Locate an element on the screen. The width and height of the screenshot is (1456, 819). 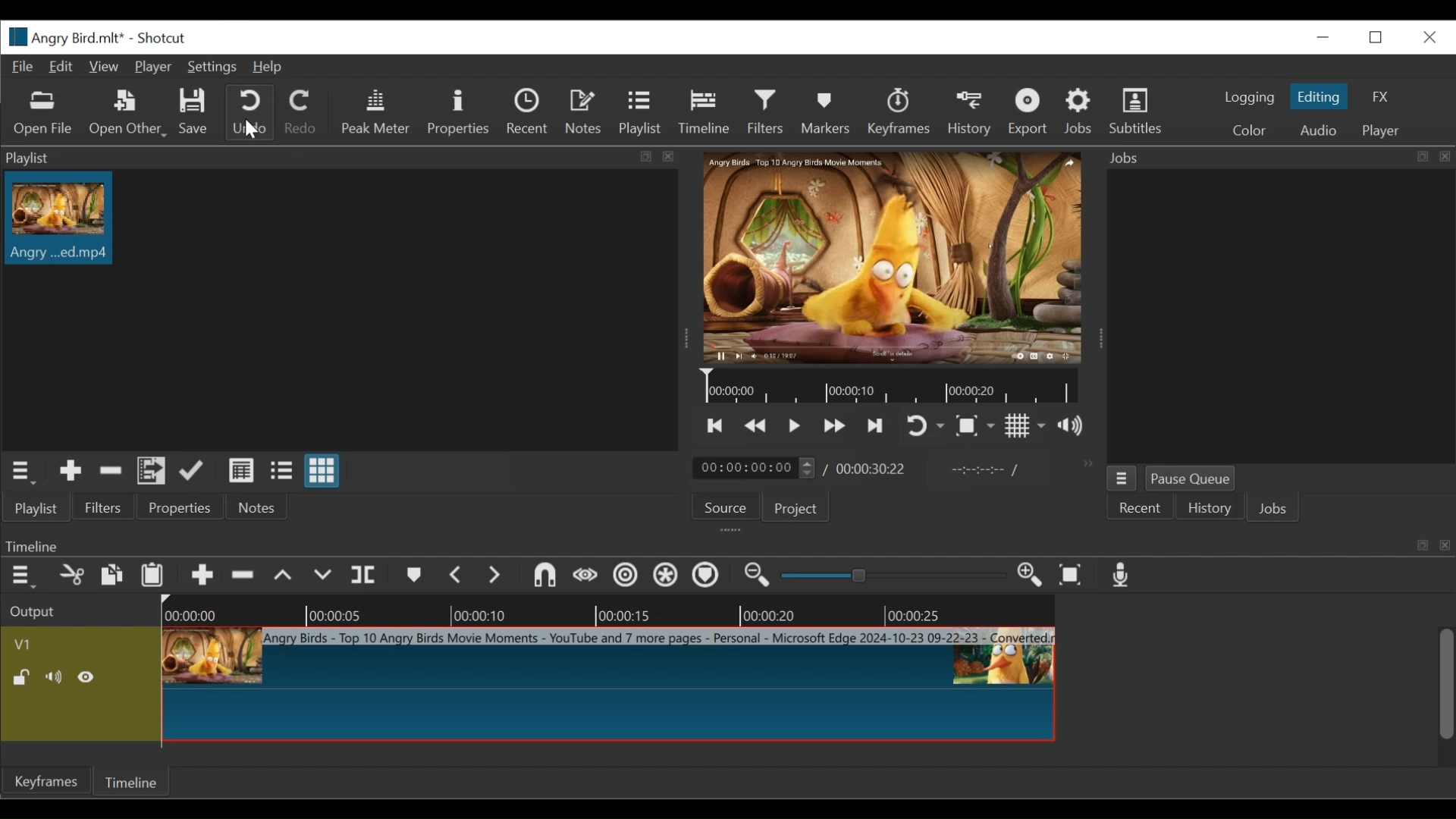
Recent is located at coordinates (1141, 508).